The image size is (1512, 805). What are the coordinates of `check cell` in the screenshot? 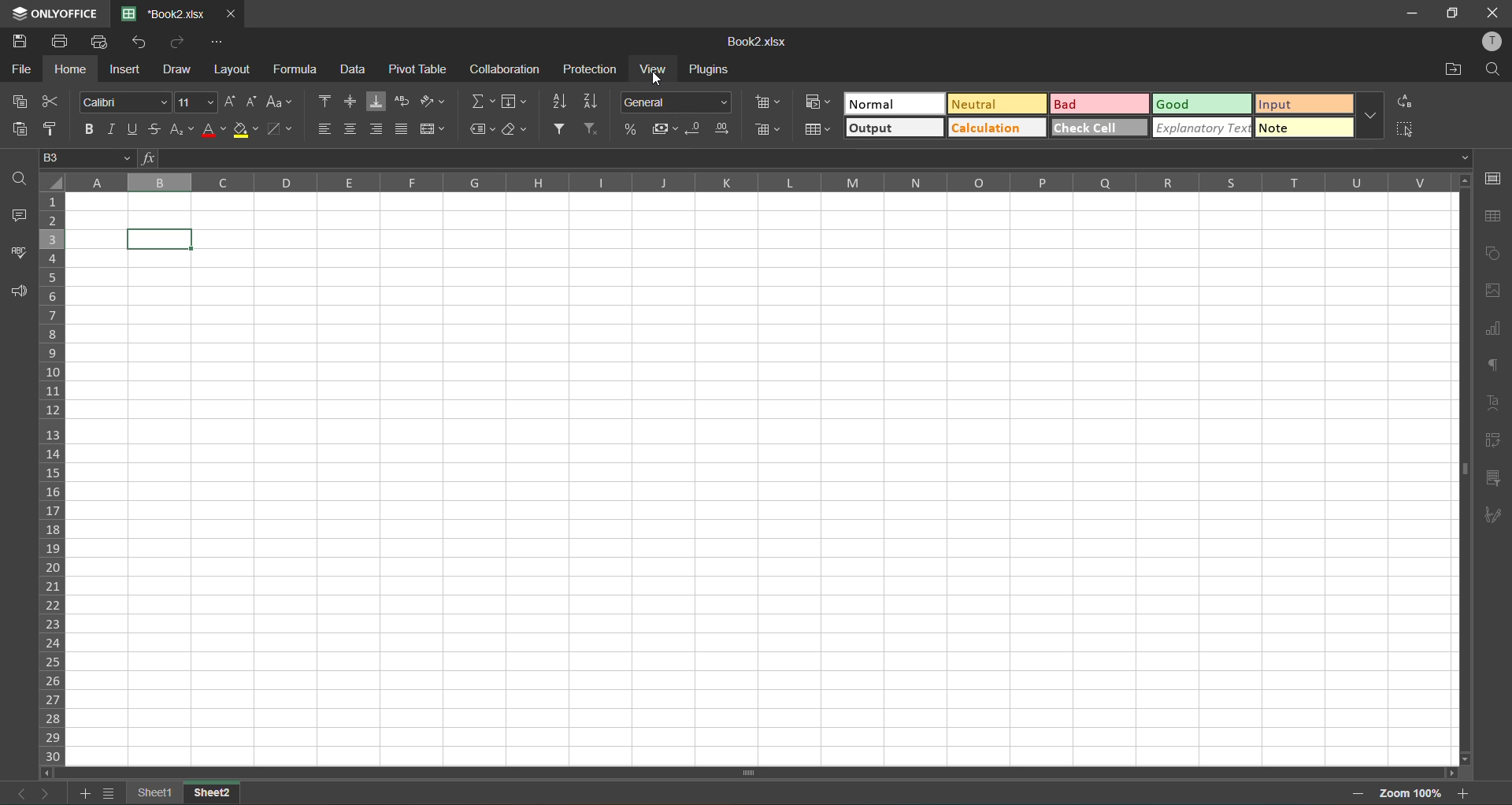 It's located at (1098, 129).